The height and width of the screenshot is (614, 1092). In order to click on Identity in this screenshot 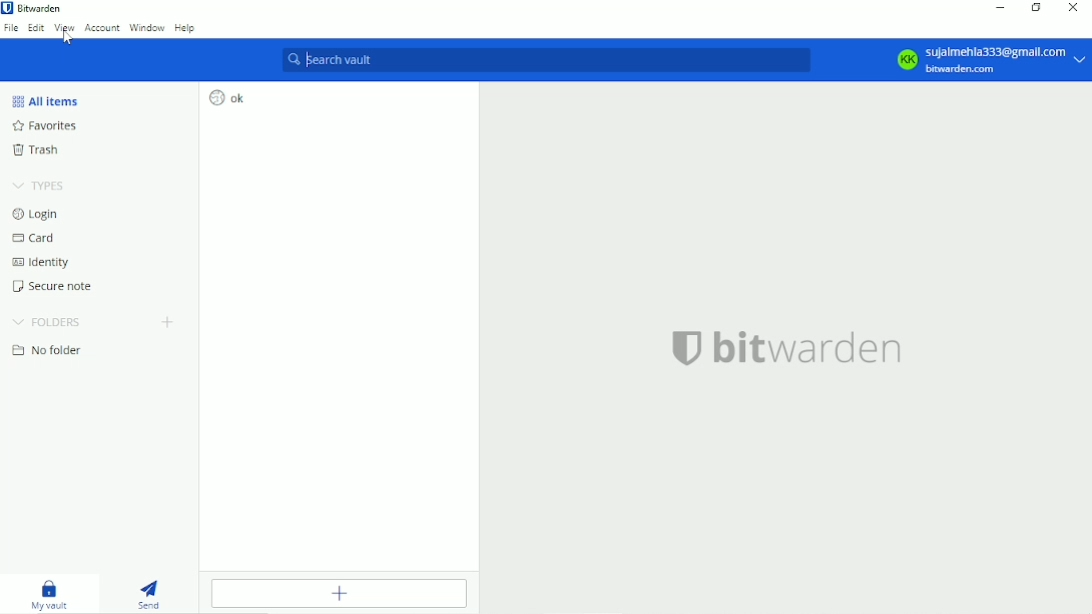, I will do `click(42, 262)`.